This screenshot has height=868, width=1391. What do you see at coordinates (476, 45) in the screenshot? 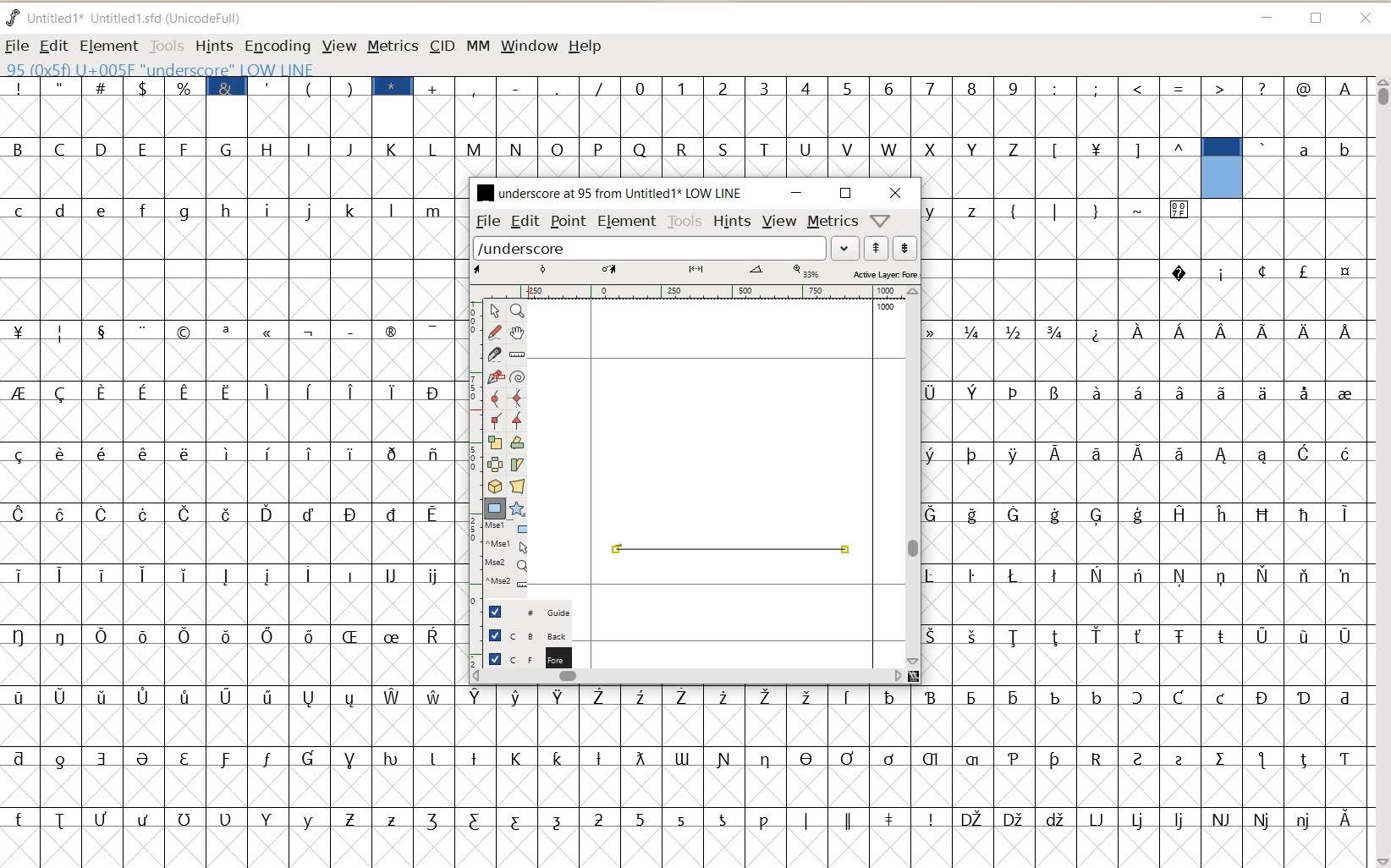
I see `MM` at bounding box center [476, 45].